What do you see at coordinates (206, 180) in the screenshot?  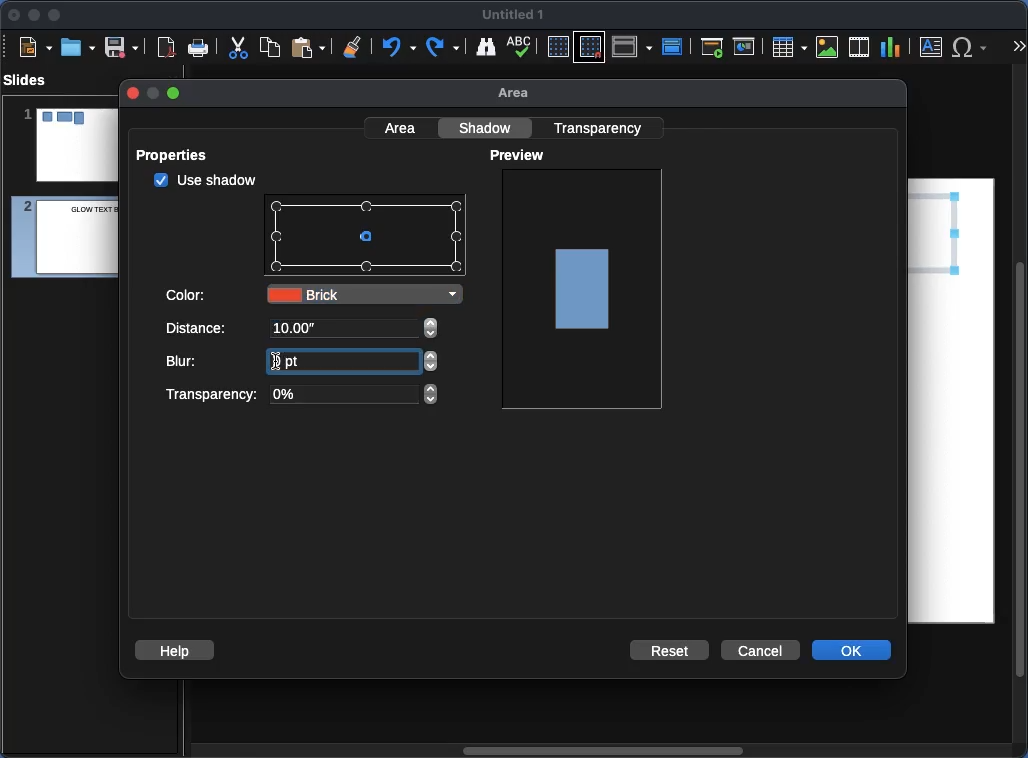 I see `checked Use shadow` at bounding box center [206, 180].